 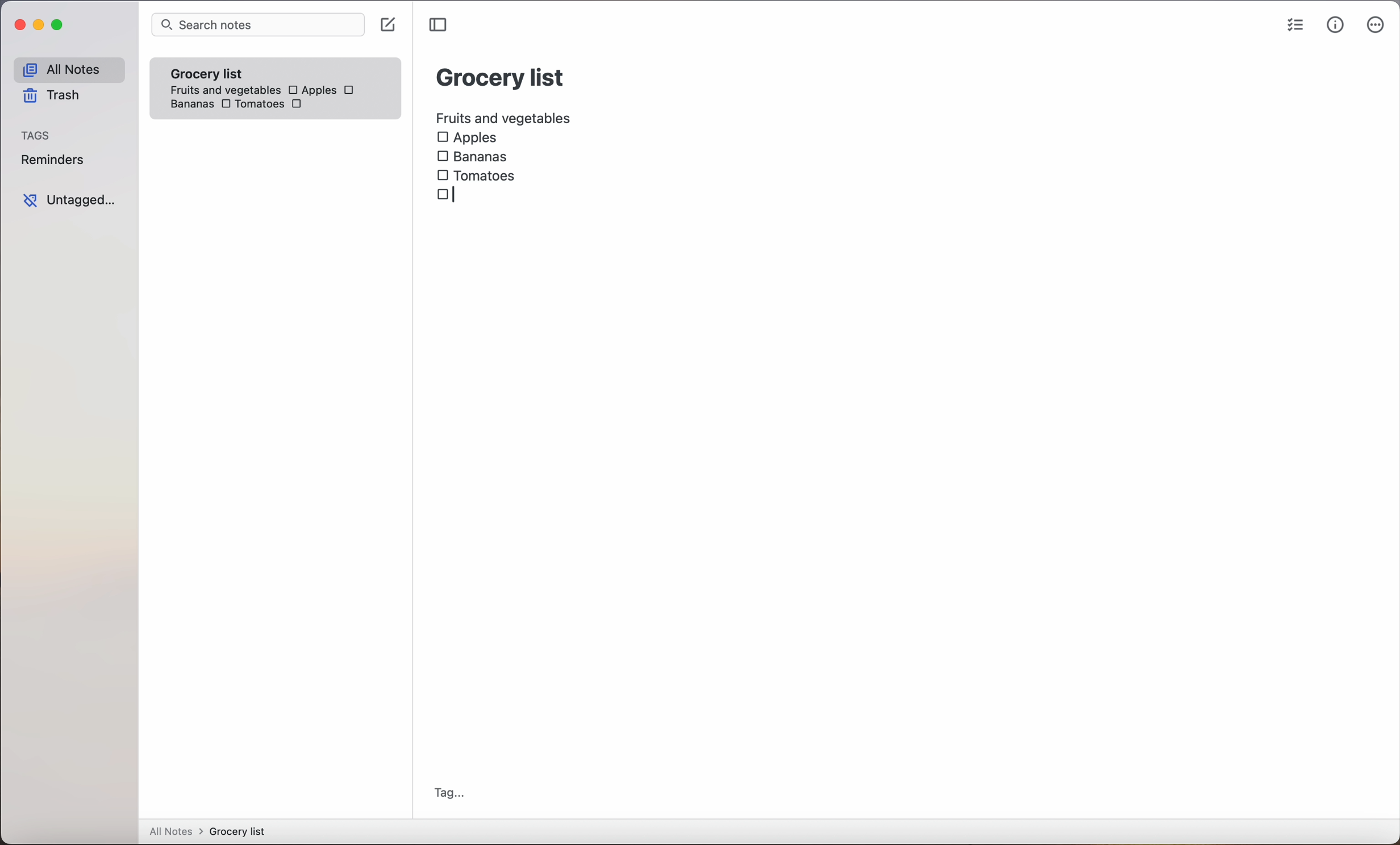 What do you see at coordinates (299, 107) in the screenshot?
I see `checkbox` at bounding box center [299, 107].